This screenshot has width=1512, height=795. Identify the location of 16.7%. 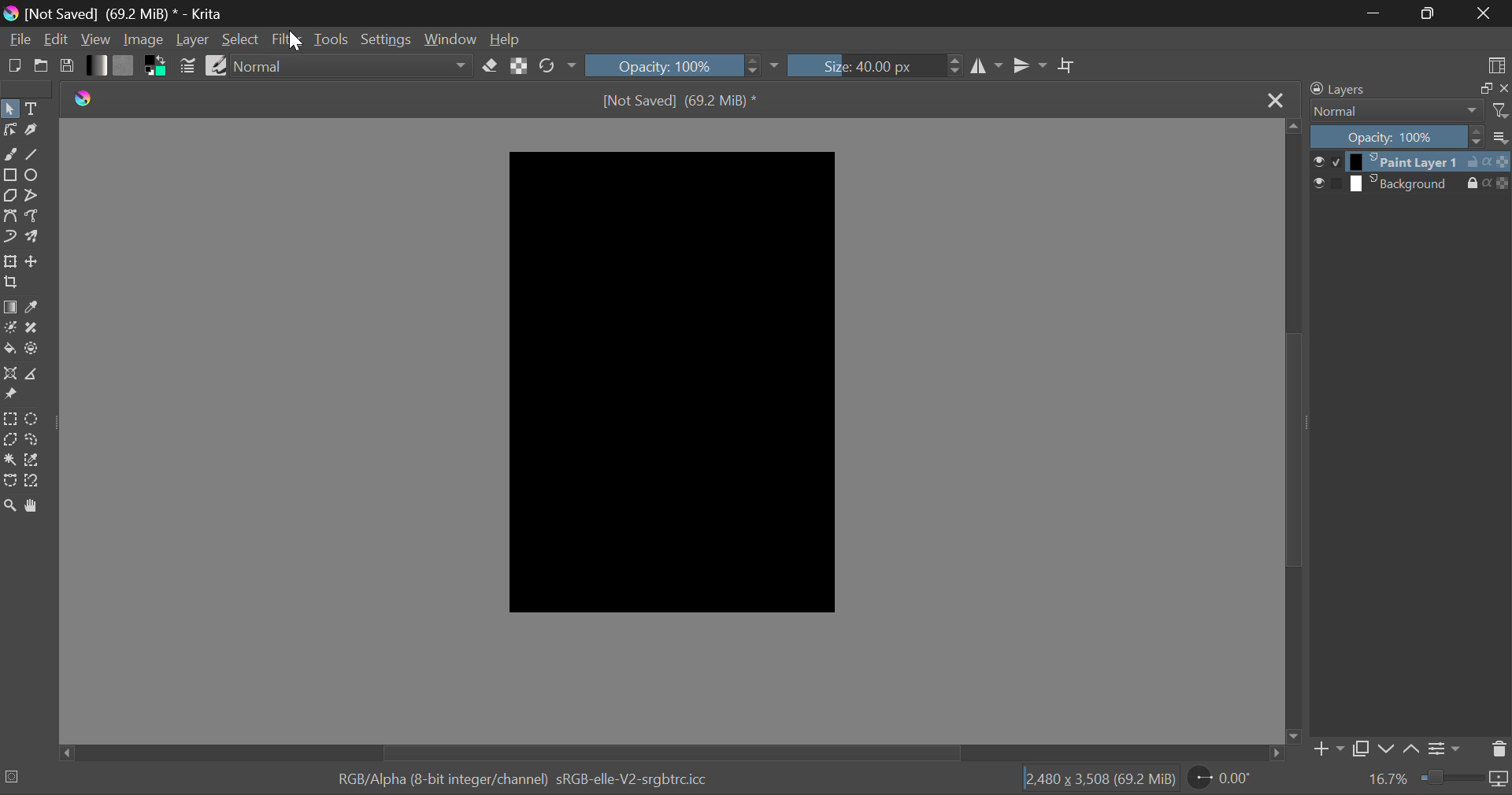
(1389, 780).